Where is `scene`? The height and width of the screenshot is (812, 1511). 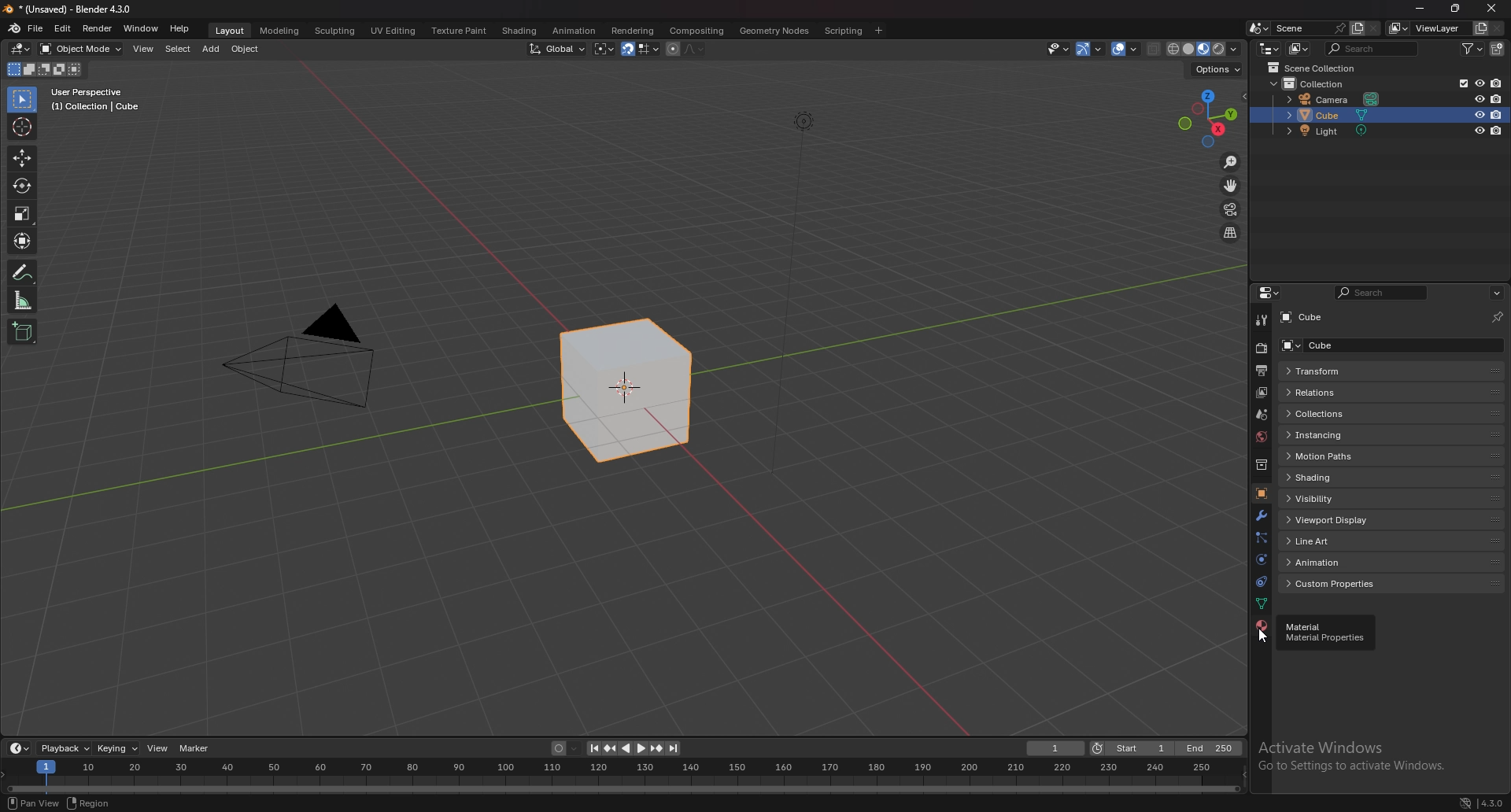 scene is located at coordinates (1260, 415).